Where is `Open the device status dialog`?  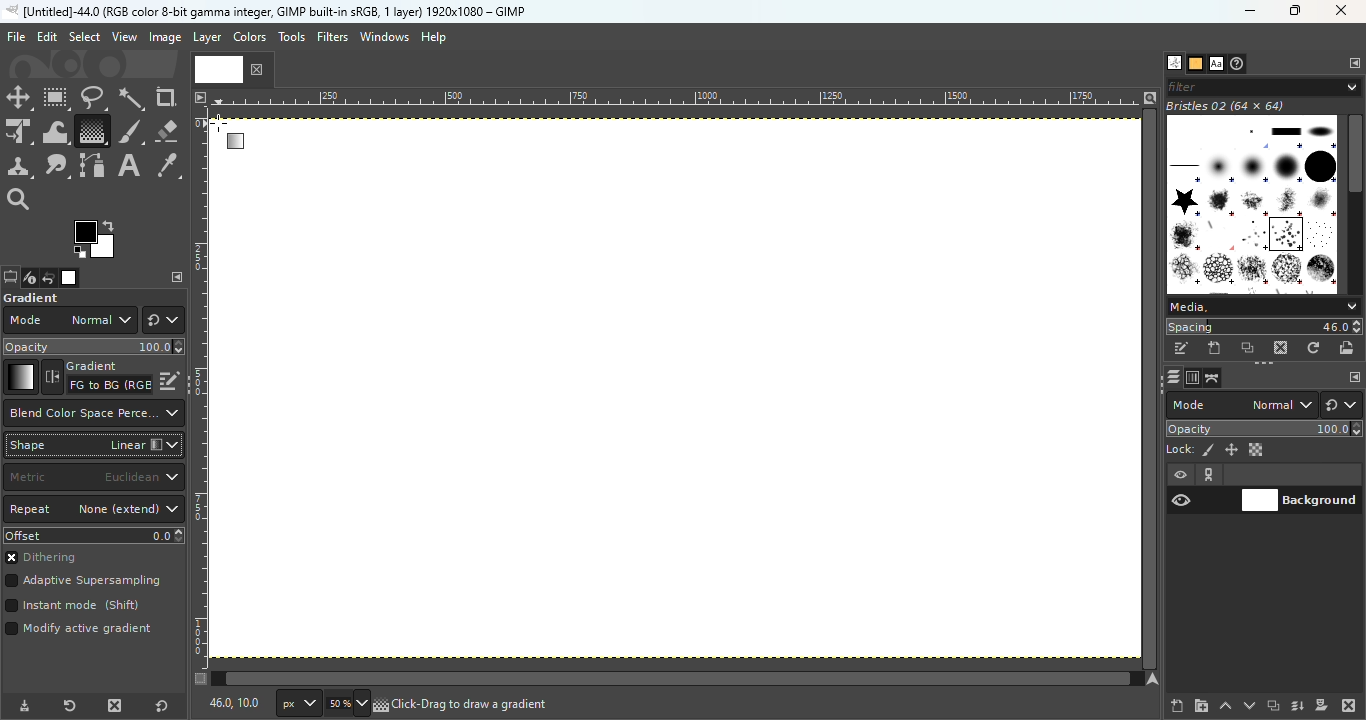
Open the device status dialog is located at coordinates (28, 279).